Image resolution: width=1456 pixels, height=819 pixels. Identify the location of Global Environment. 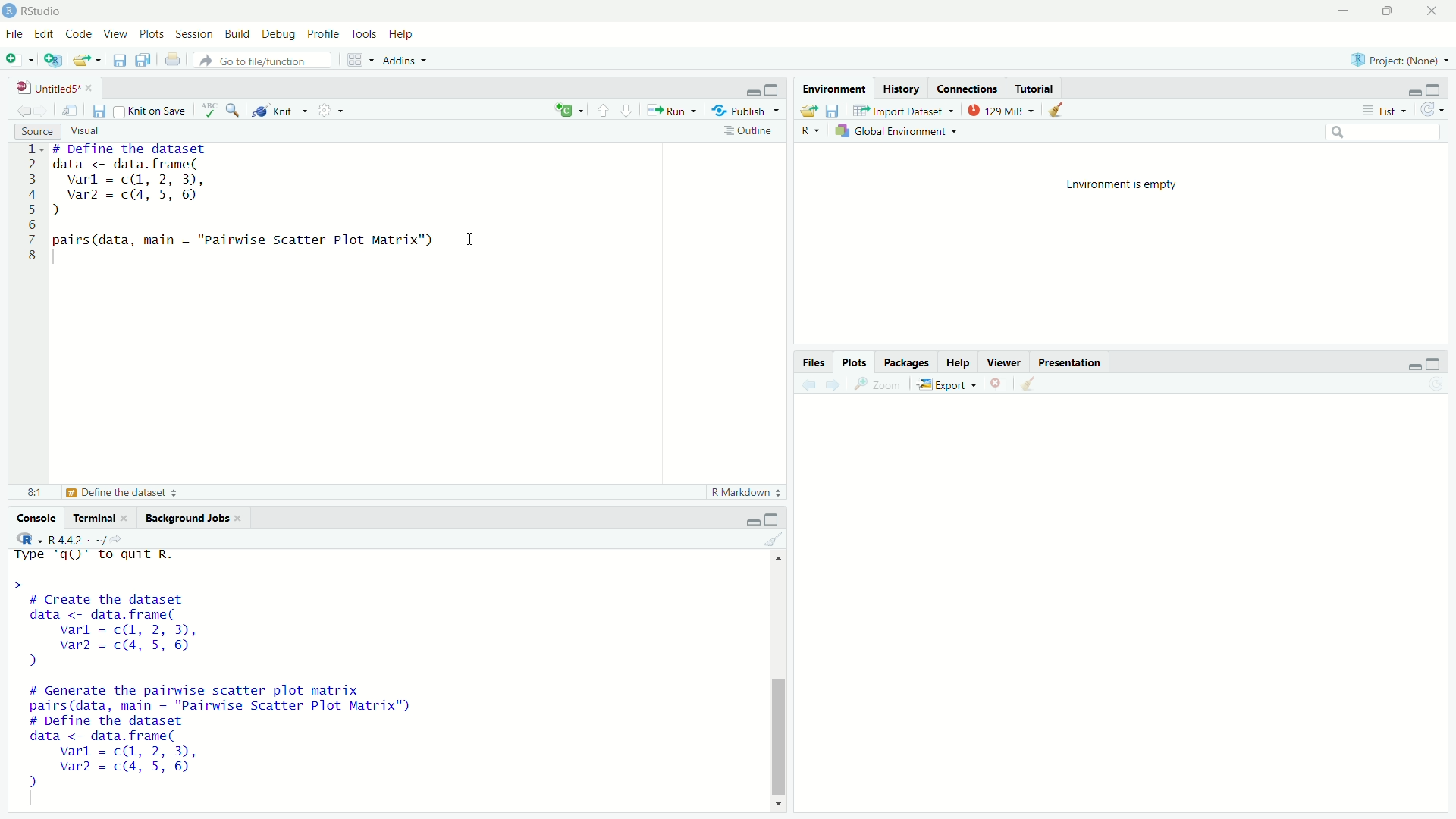
(899, 130).